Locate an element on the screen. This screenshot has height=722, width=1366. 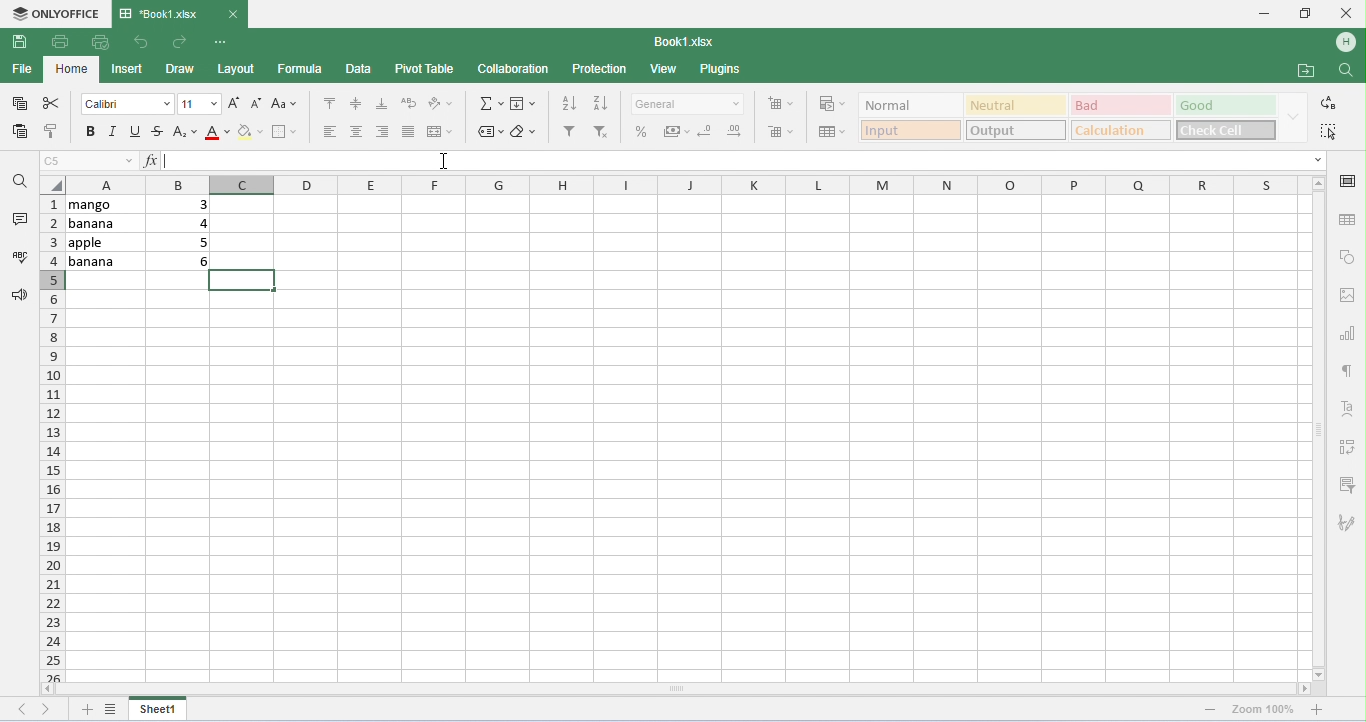
wrap text is located at coordinates (409, 103).